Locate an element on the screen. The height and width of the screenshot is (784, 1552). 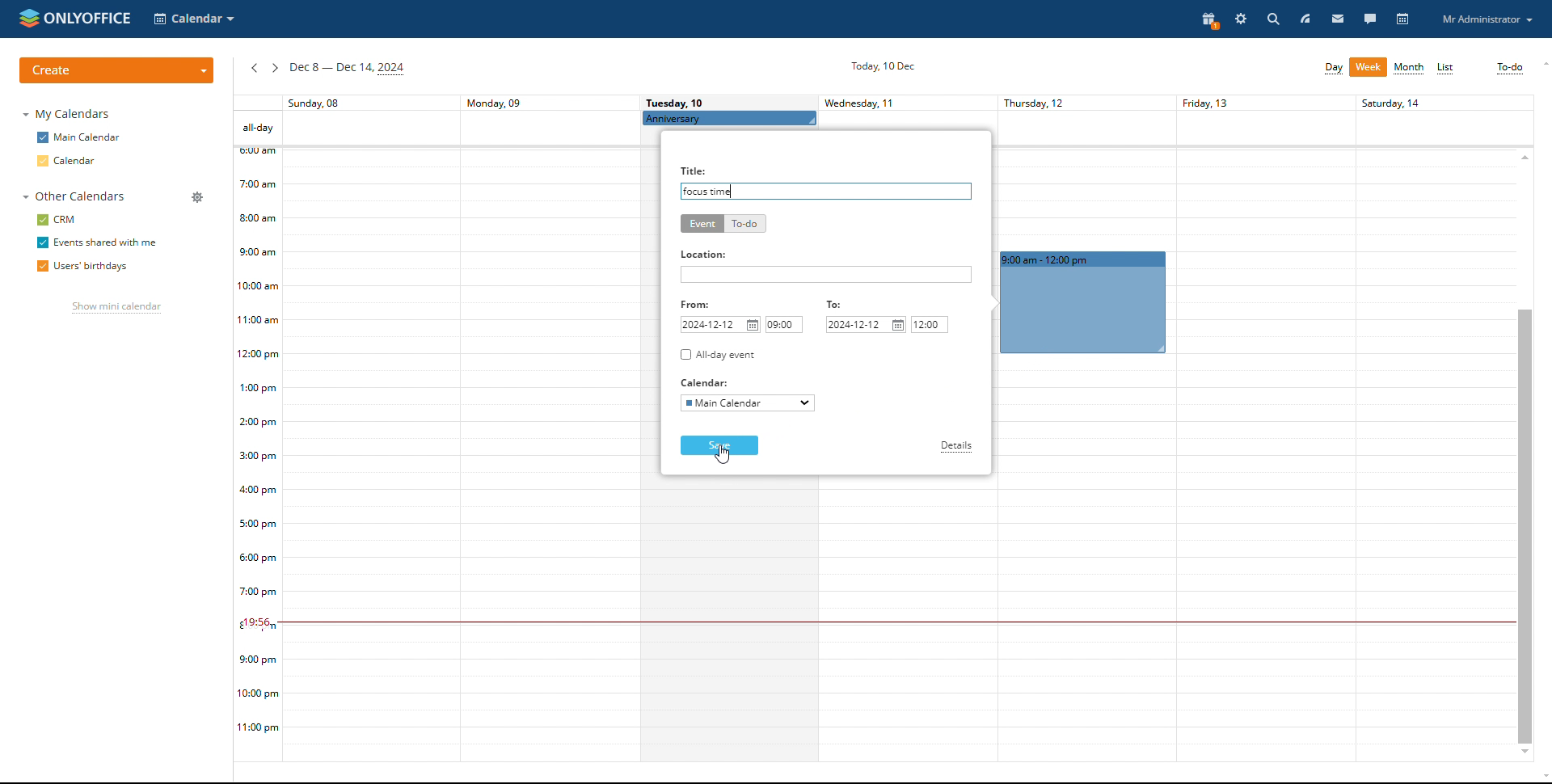
to-do is located at coordinates (1509, 68).